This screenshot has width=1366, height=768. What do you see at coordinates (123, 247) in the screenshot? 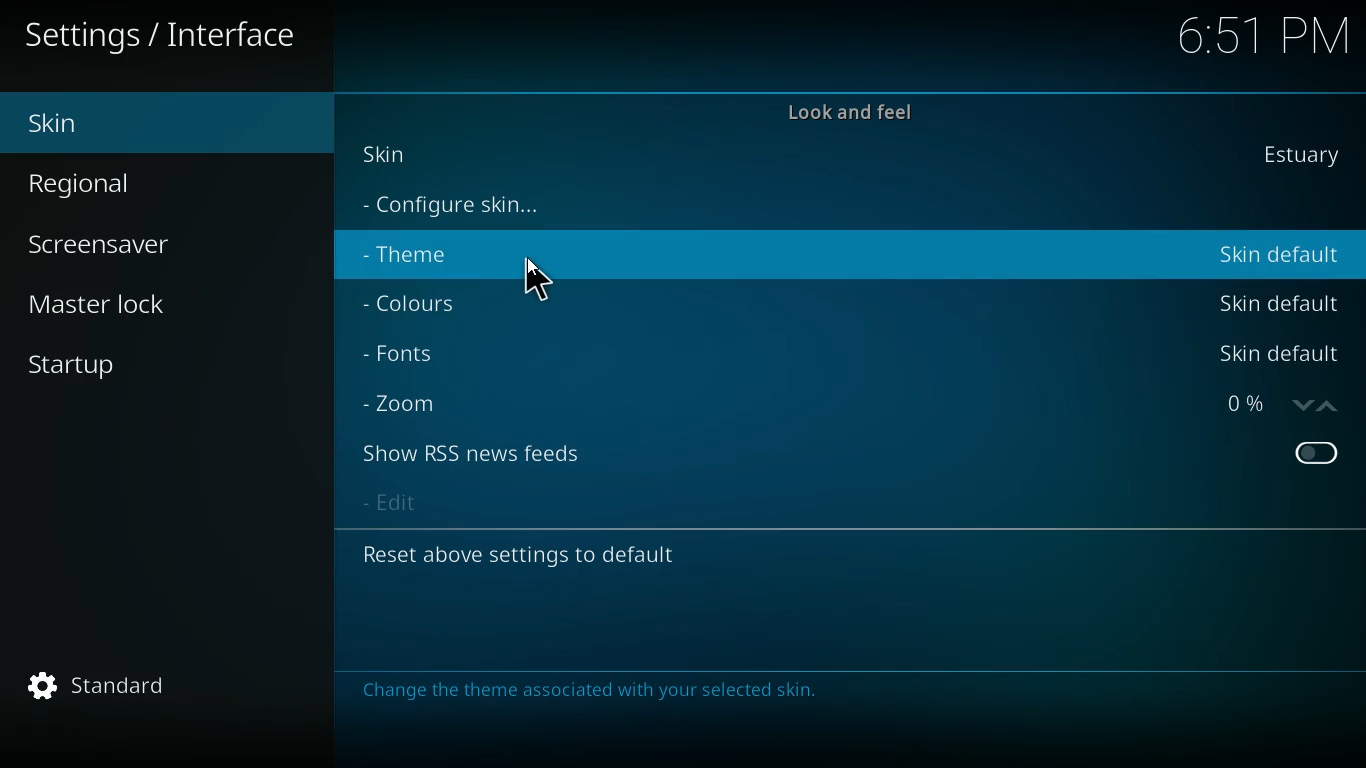
I see `screensaver` at bounding box center [123, 247].